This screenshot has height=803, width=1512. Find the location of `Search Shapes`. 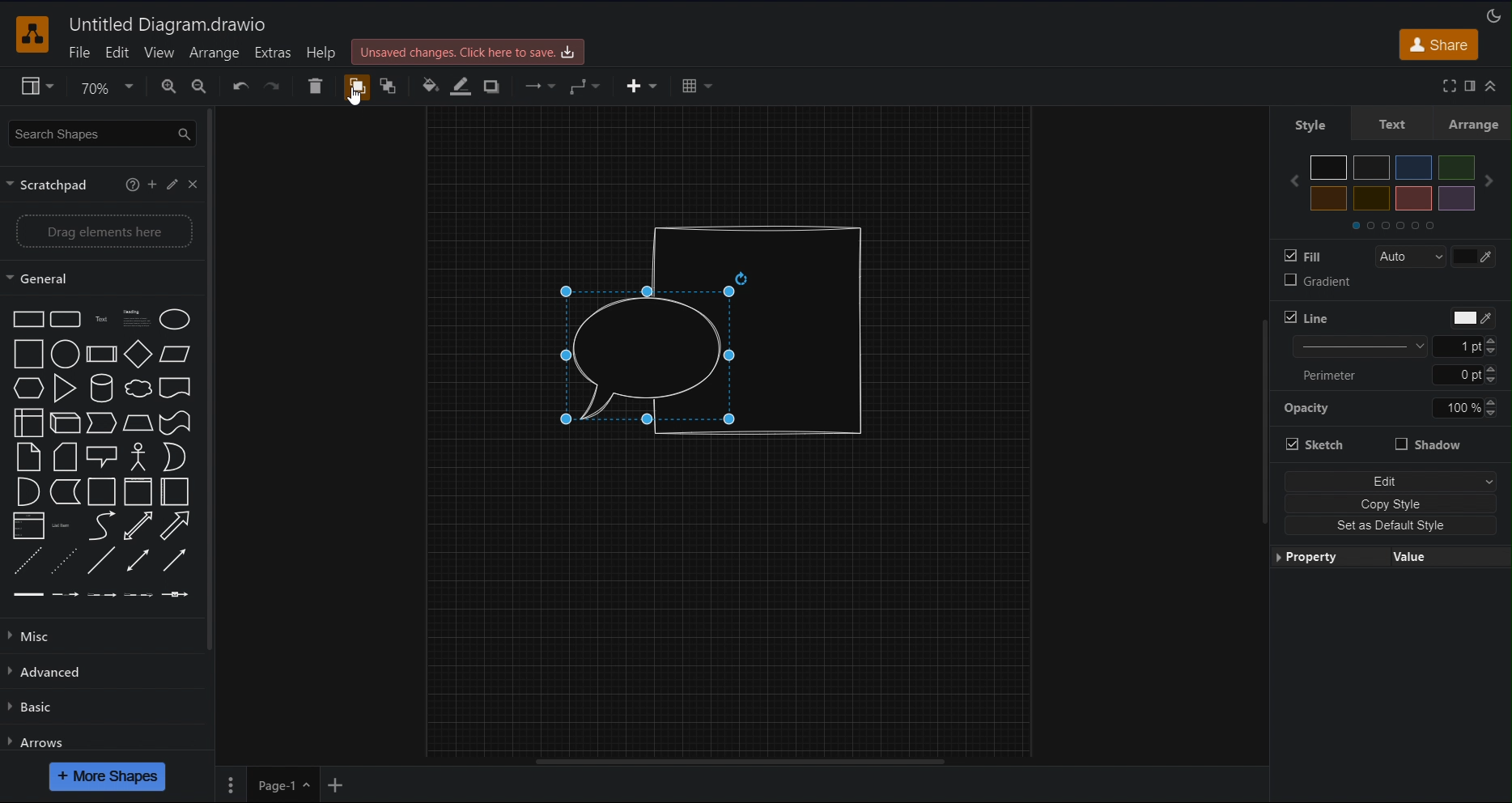

Search Shapes is located at coordinates (102, 134).